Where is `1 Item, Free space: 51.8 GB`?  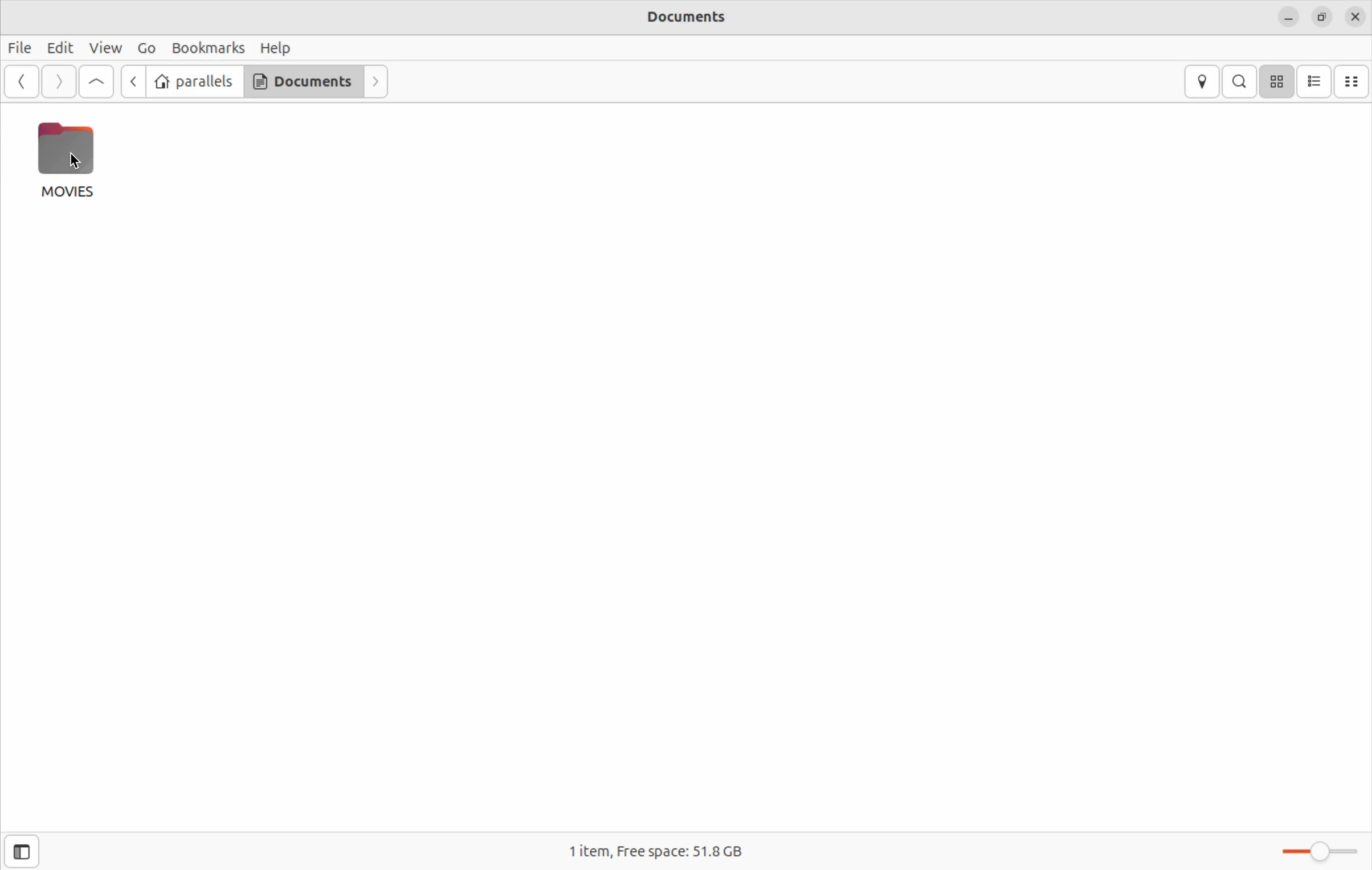 1 Item, Free space: 51.8 GB is located at coordinates (660, 853).